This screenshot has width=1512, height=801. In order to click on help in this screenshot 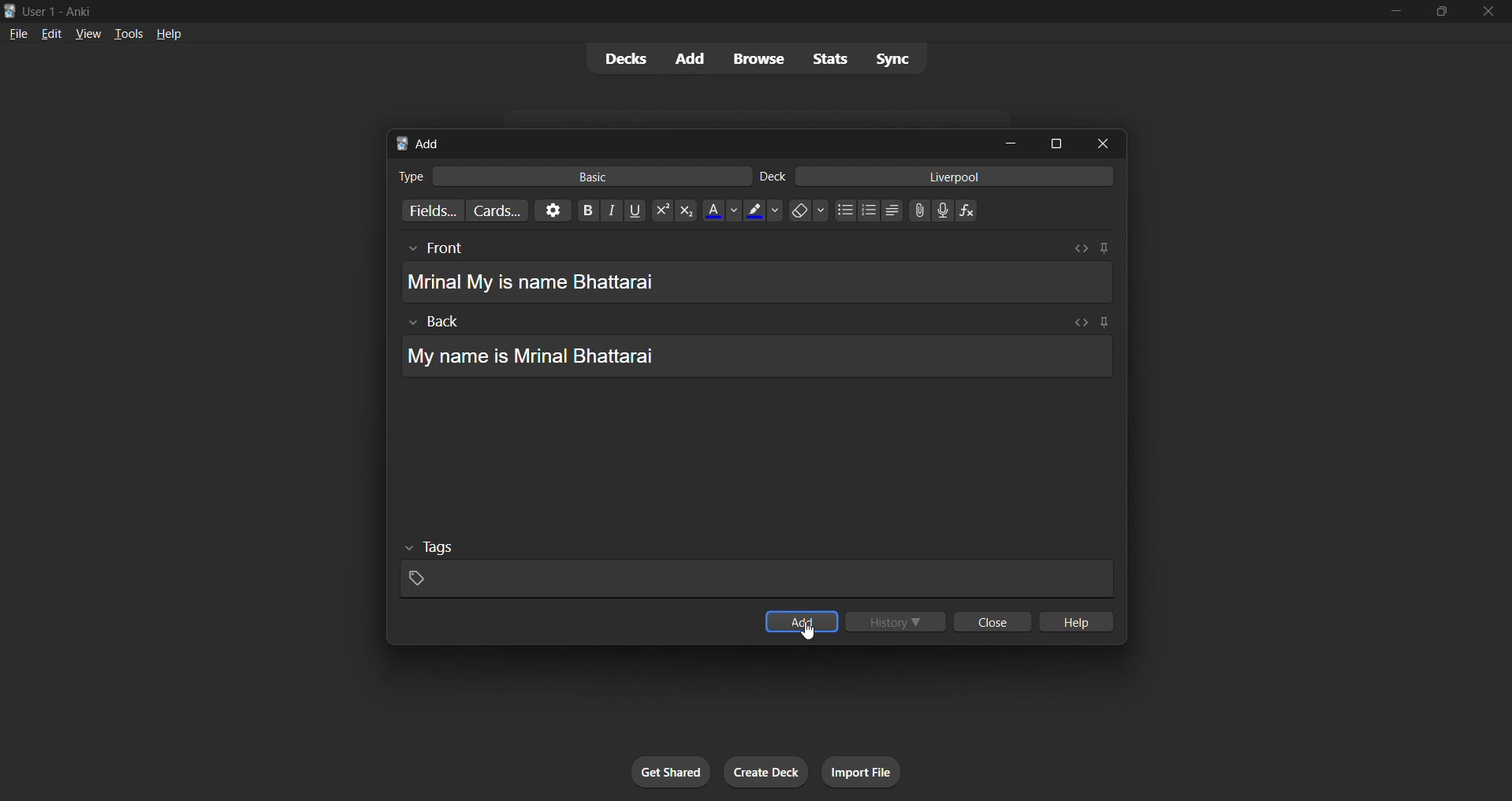, I will do `click(1078, 621)`.